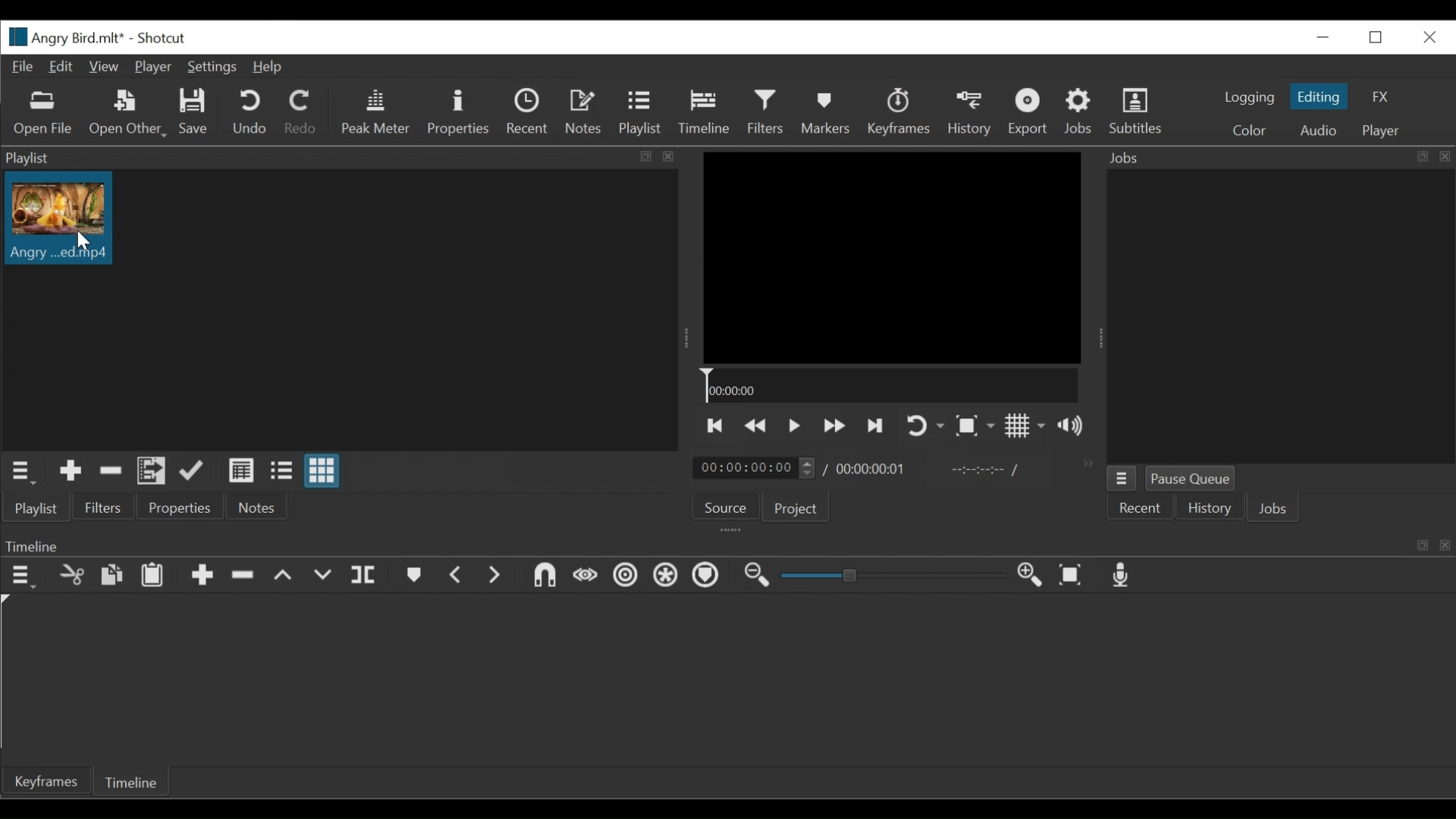 This screenshot has width=1456, height=819. What do you see at coordinates (798, 426) in the screenshot?
I see `Toggle play or pause` at bounding box center [798, 426].